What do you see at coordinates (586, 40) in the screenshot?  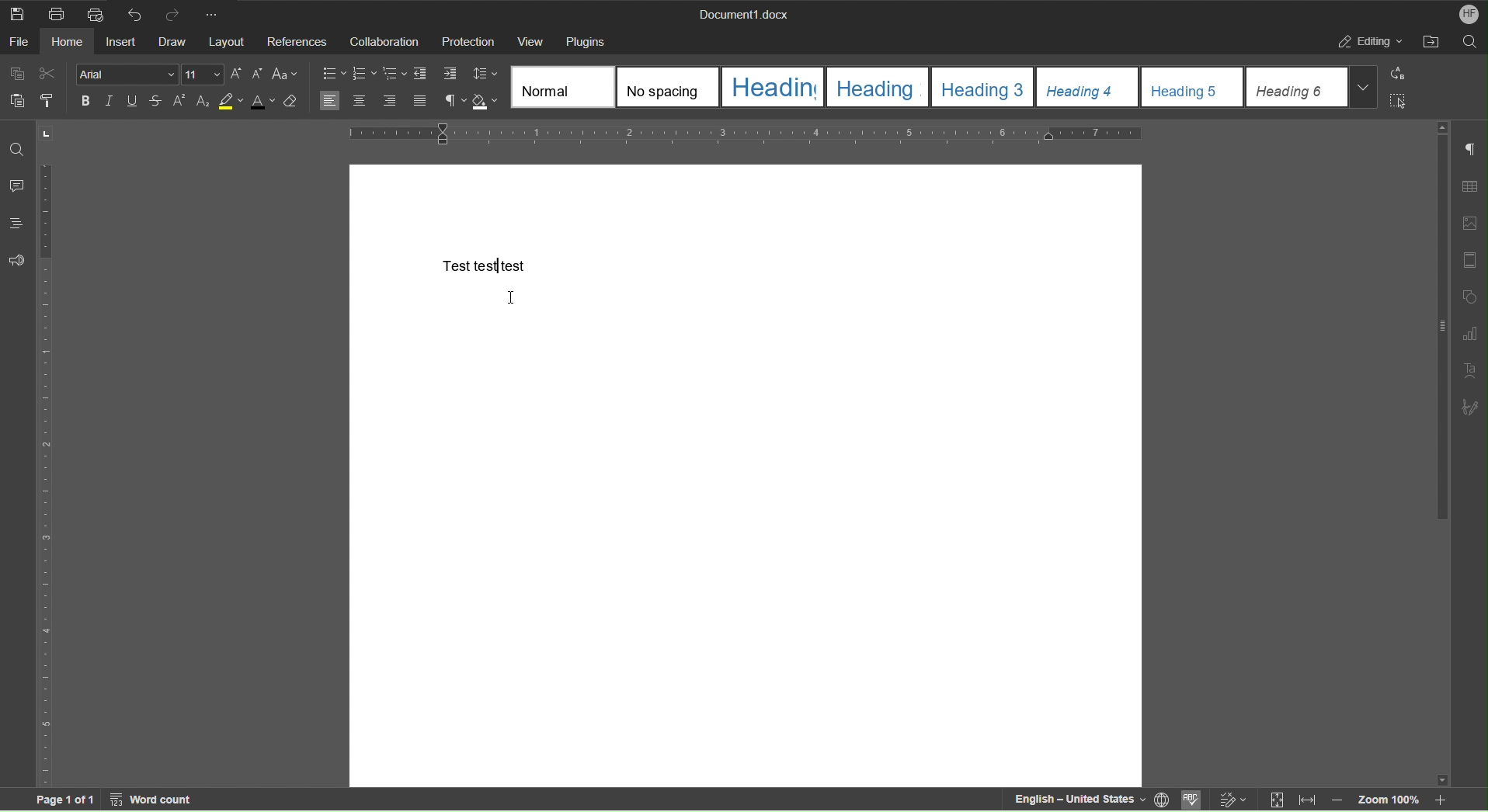 I see `Plugins` at bounding box center [586, 40].